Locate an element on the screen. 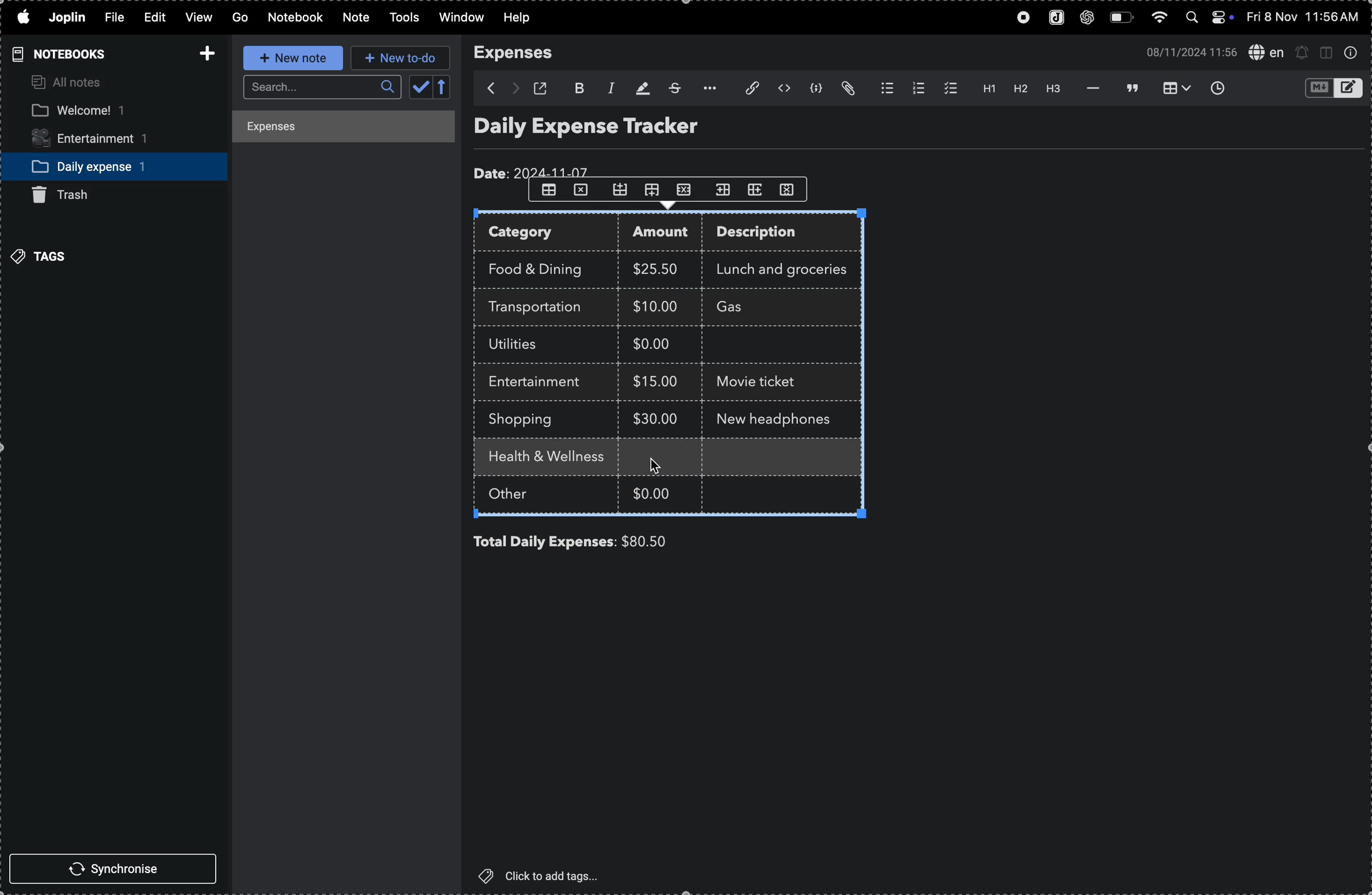 The height and width of the screenshot is (895, 1372). Gas is located at coordinates (751, 308).